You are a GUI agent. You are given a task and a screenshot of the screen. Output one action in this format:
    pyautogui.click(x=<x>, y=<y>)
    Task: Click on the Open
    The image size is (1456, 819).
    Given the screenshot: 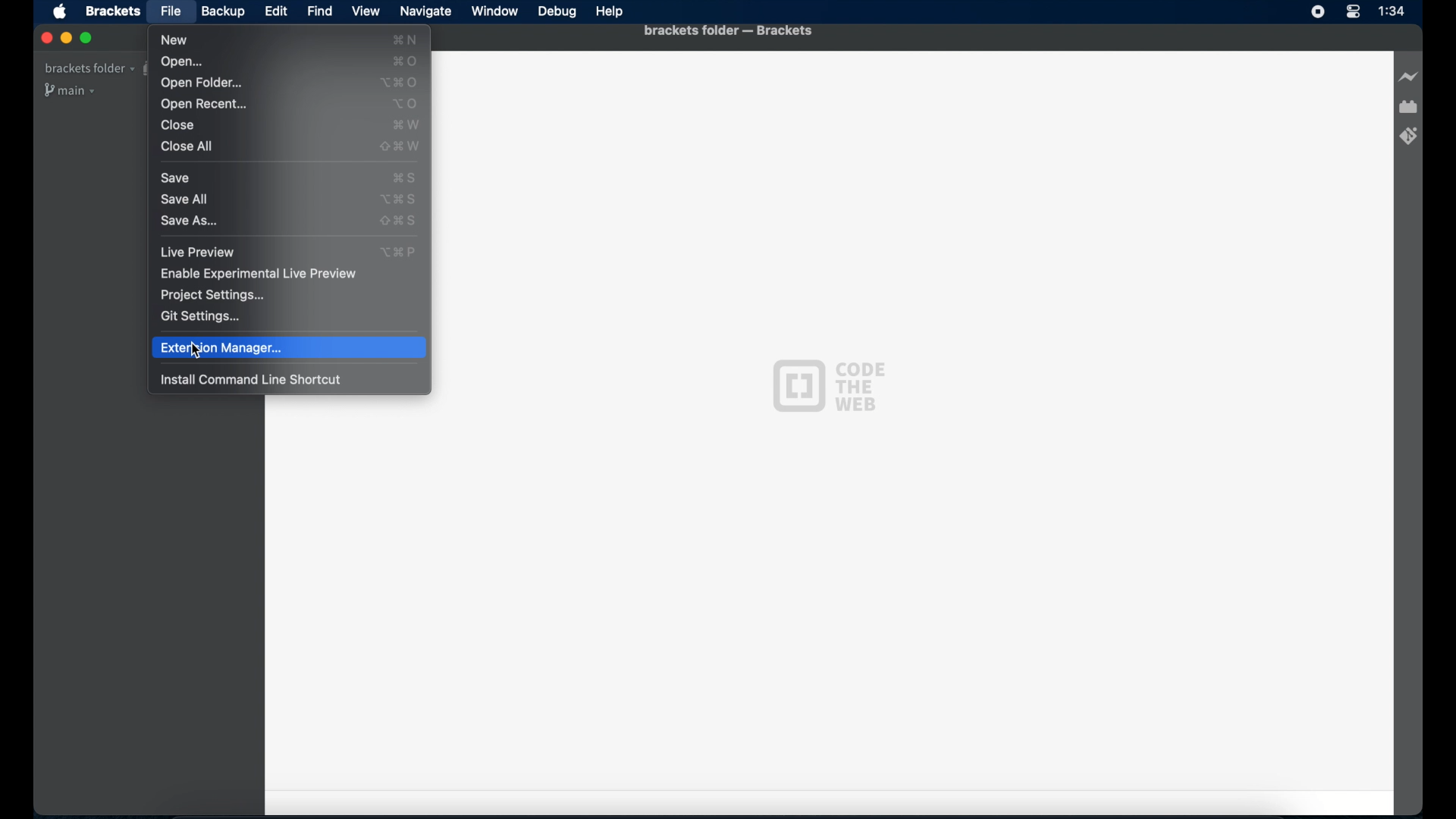 What is the action you would take?
    pyautogui.click(x=183, y=62)
    